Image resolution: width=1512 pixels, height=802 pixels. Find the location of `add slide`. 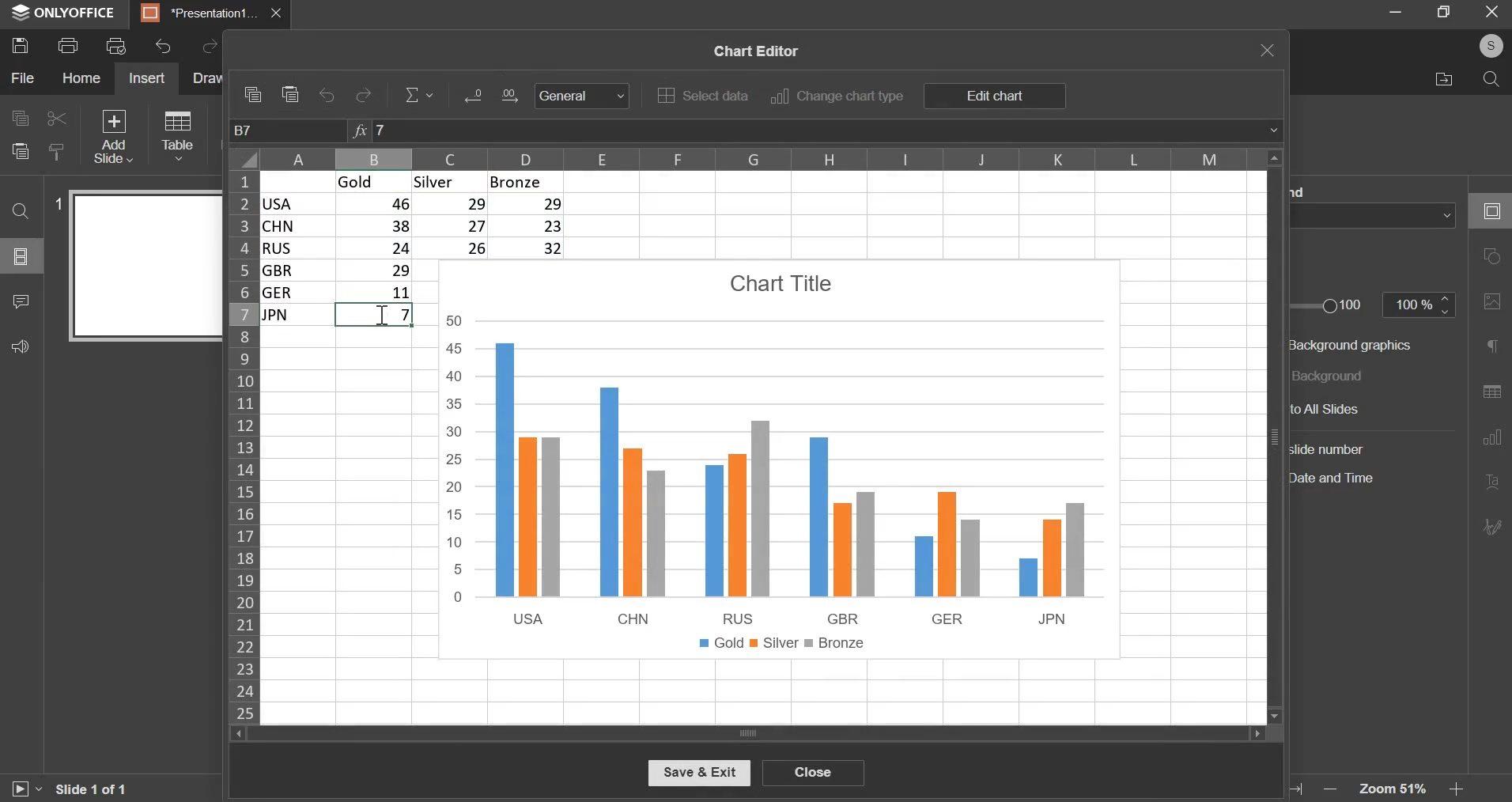

add slide is located at coordinates (112, 135).